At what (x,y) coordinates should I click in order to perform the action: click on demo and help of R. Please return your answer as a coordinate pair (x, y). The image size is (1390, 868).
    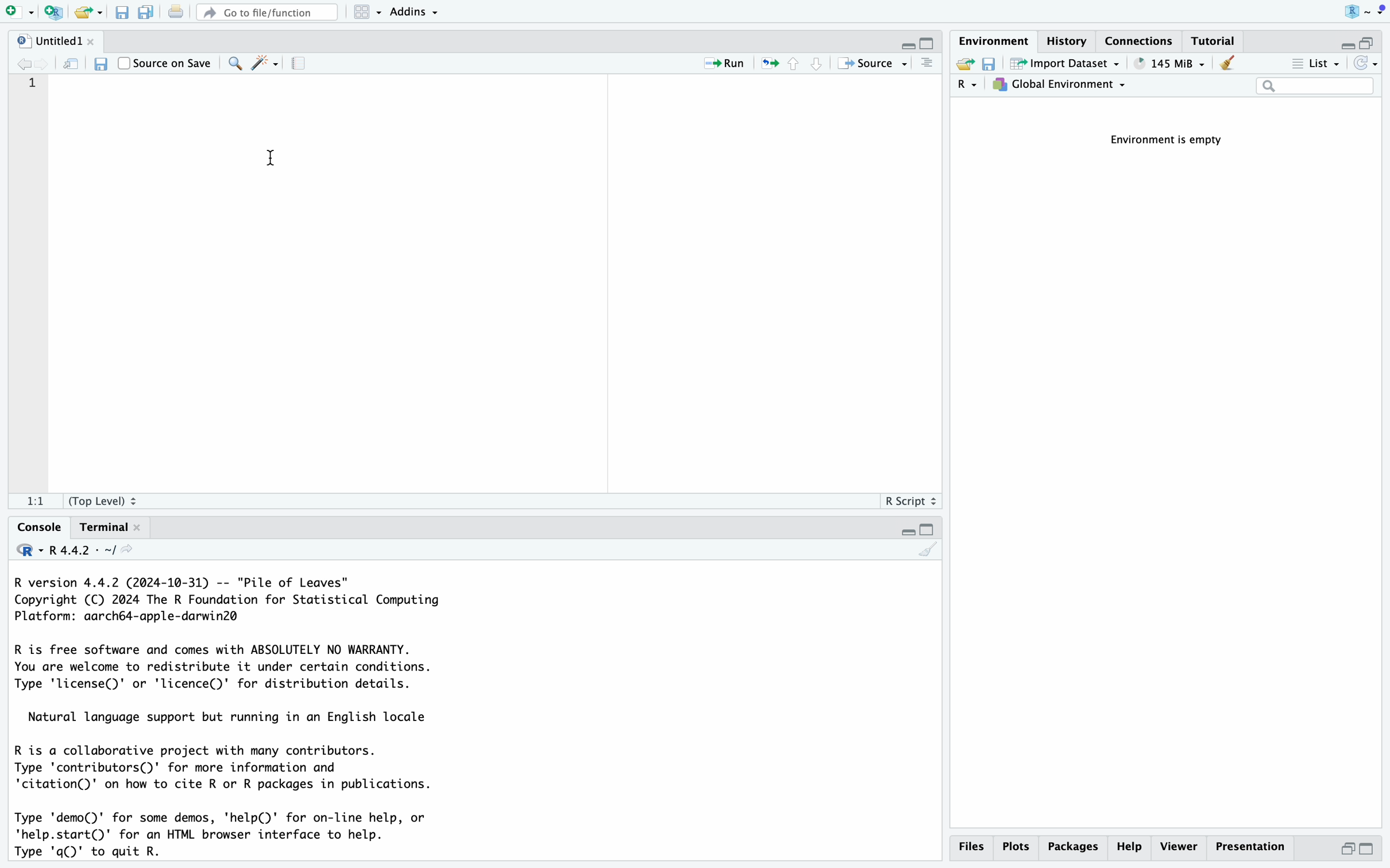
    Looking at the image, I should click on (223, 836).